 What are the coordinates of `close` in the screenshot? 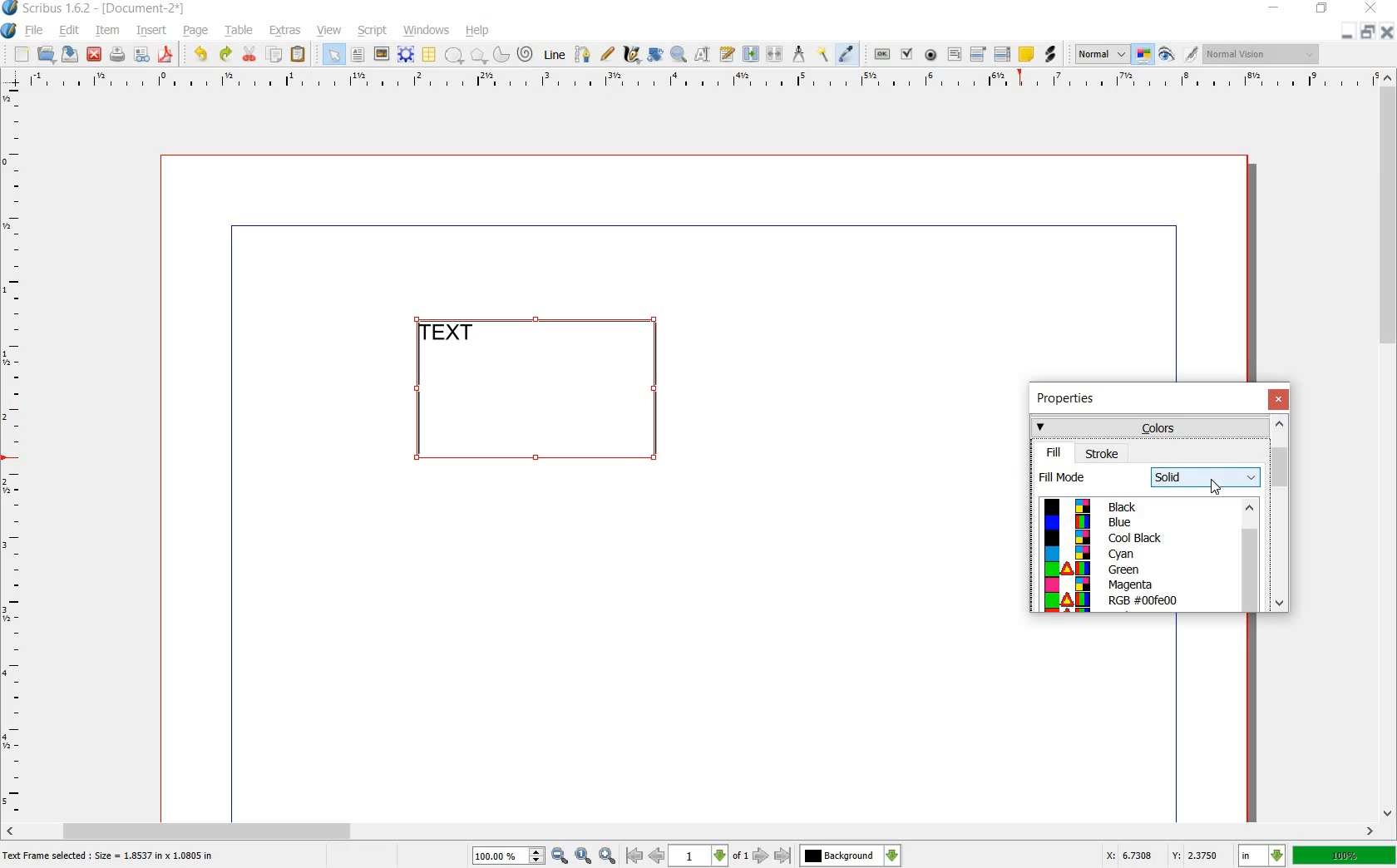 It's located at (1278, 399).